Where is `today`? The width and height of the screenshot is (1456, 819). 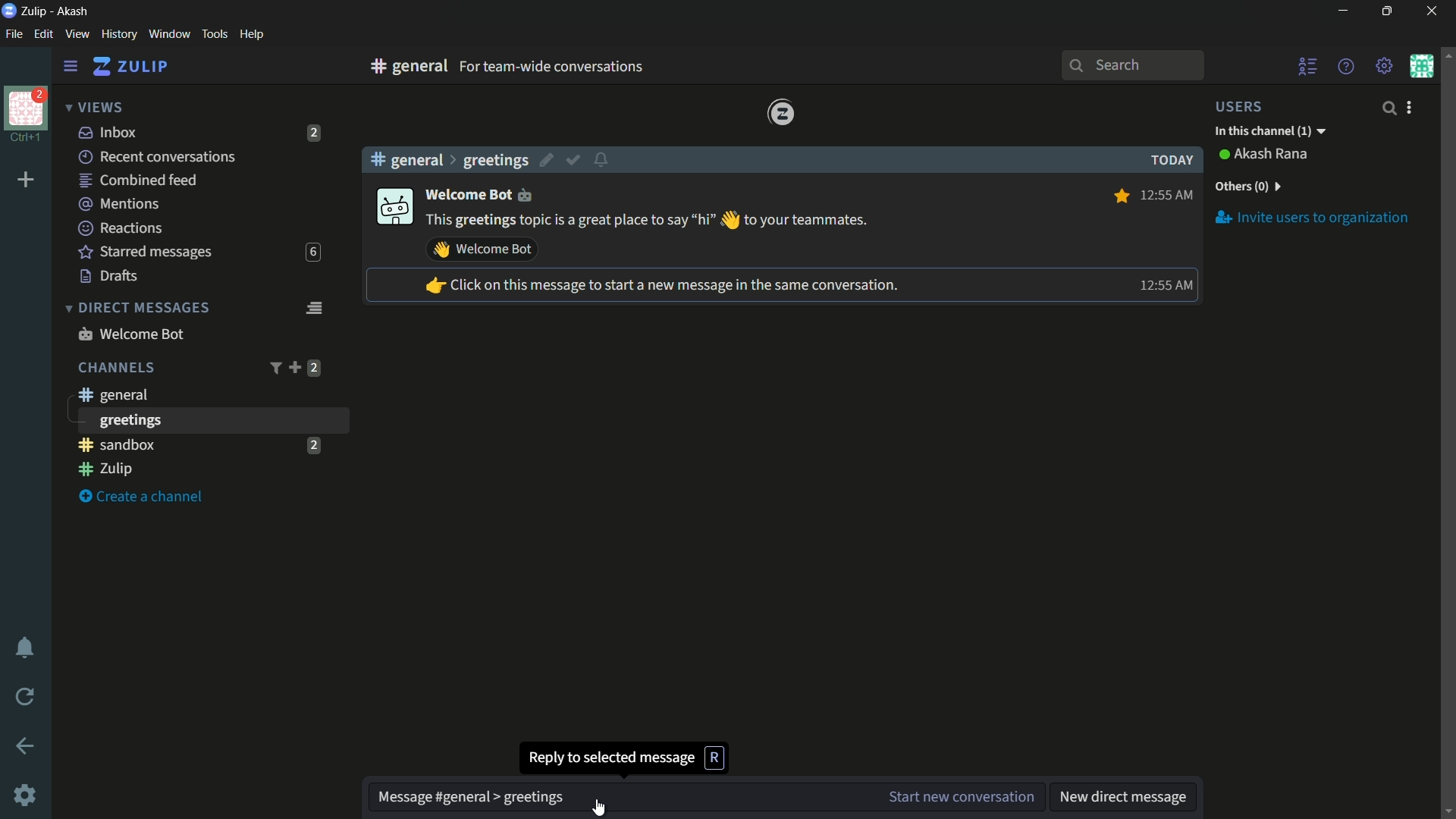
today is located at coordinates (1168, 160).